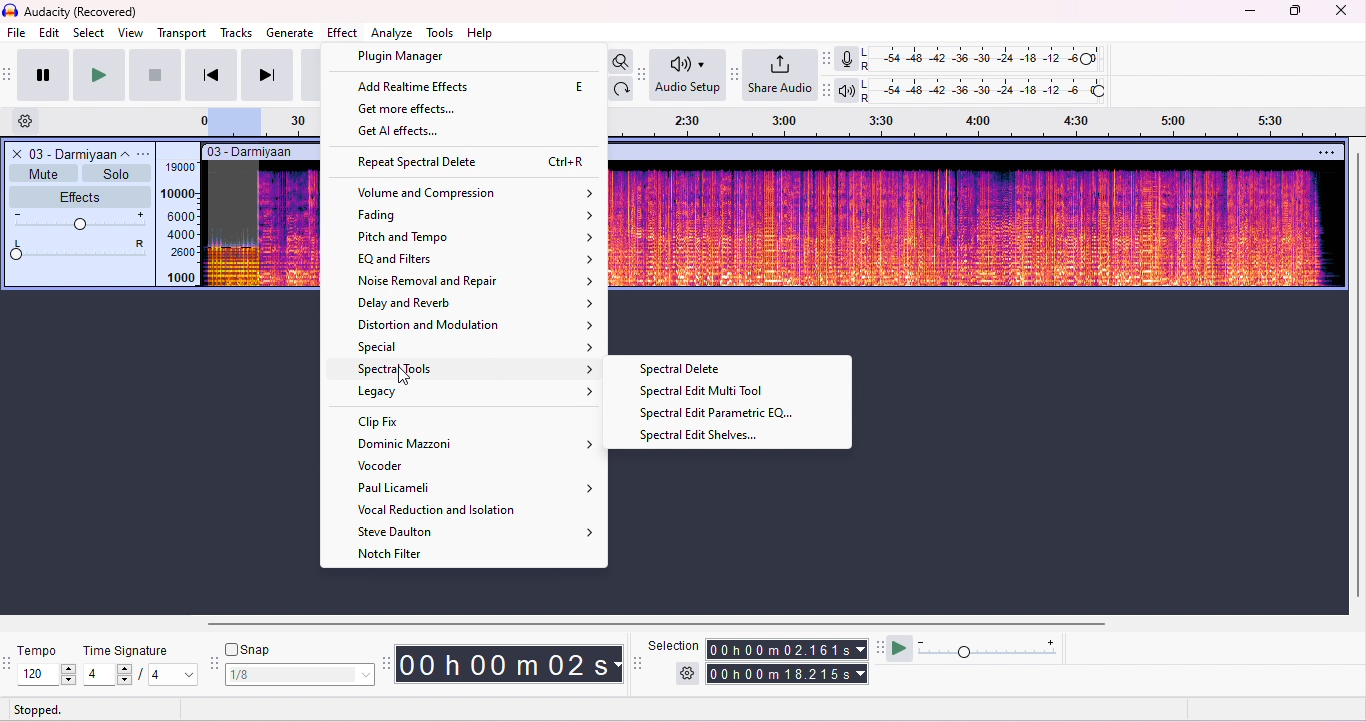  I want to click on track title, so click(260, 151).